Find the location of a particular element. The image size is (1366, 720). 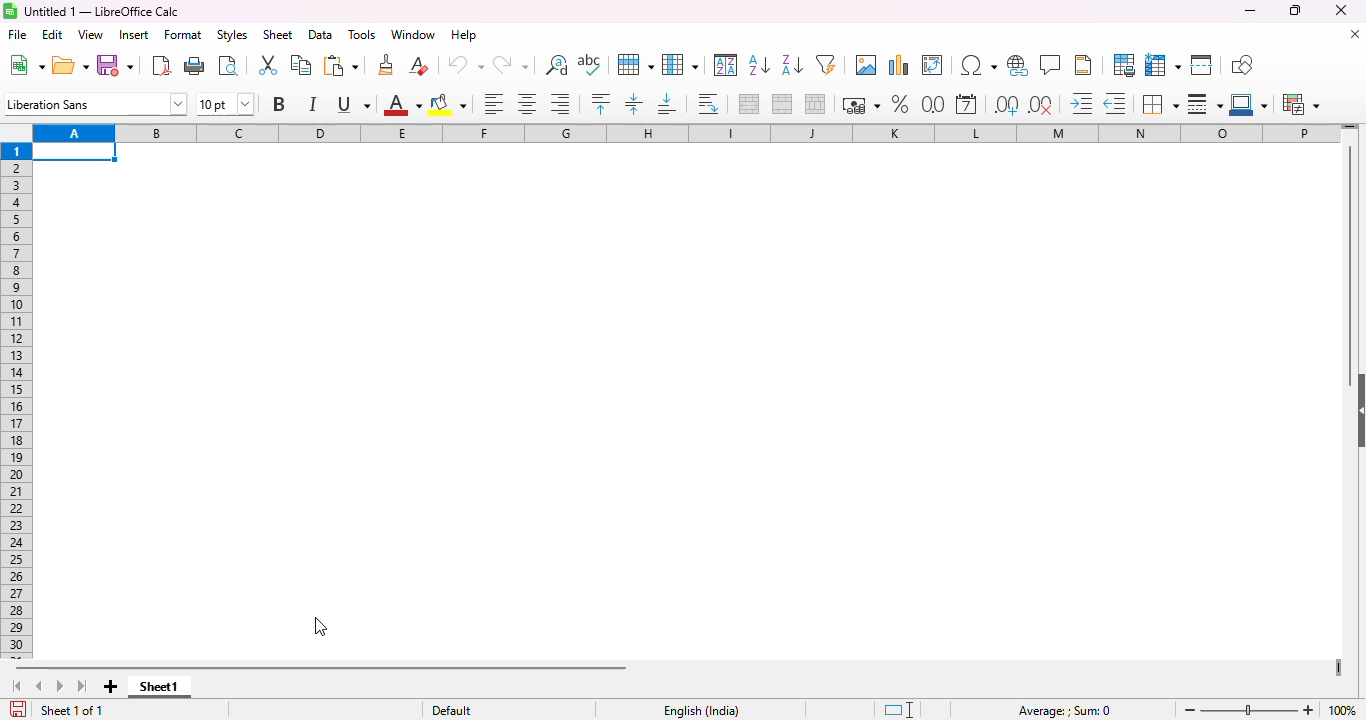

sheet 1 of 1  is located at coordinates (73, 710).